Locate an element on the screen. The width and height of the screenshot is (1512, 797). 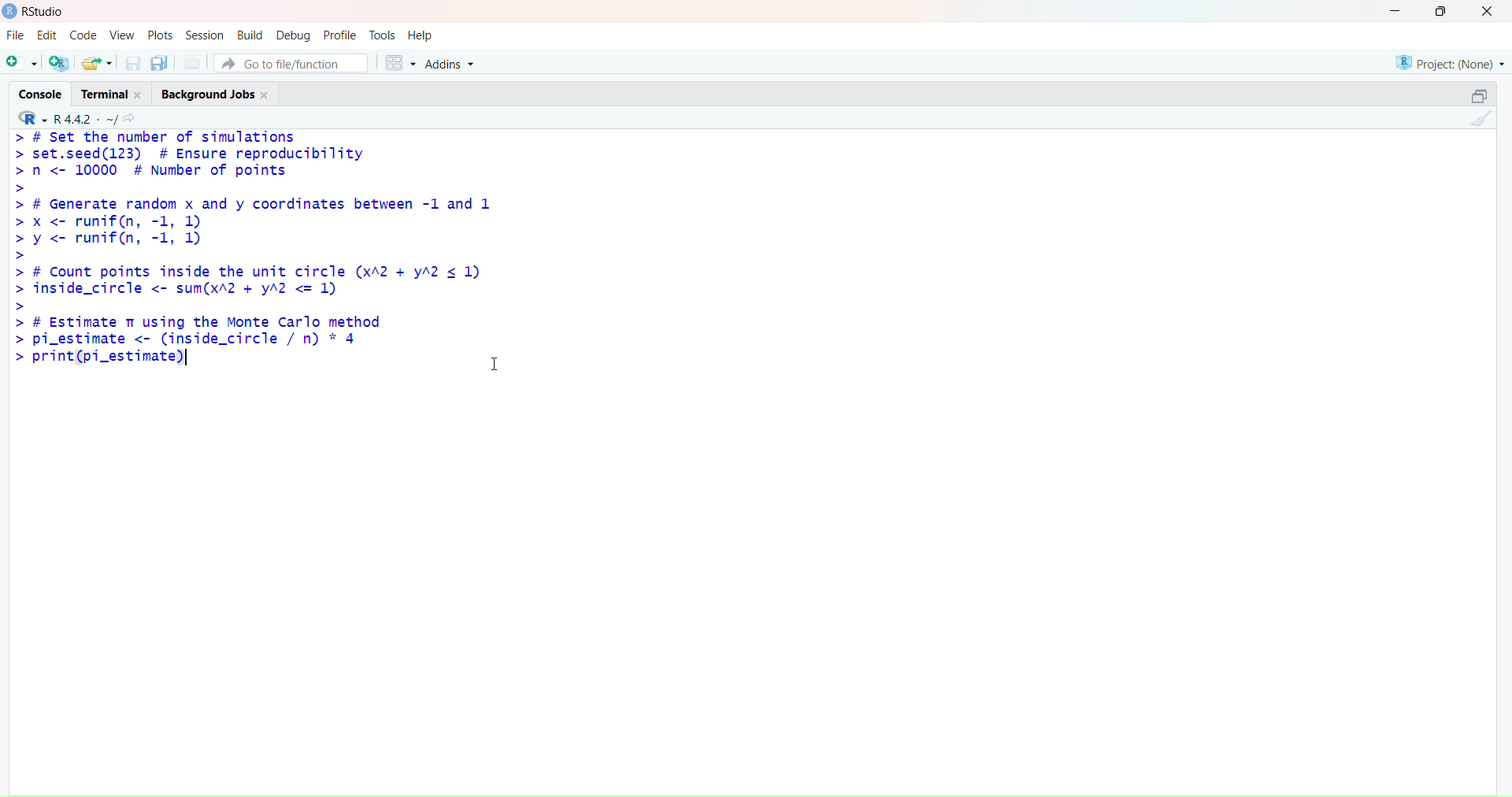
Terminal is located at coordinates (113, 94).